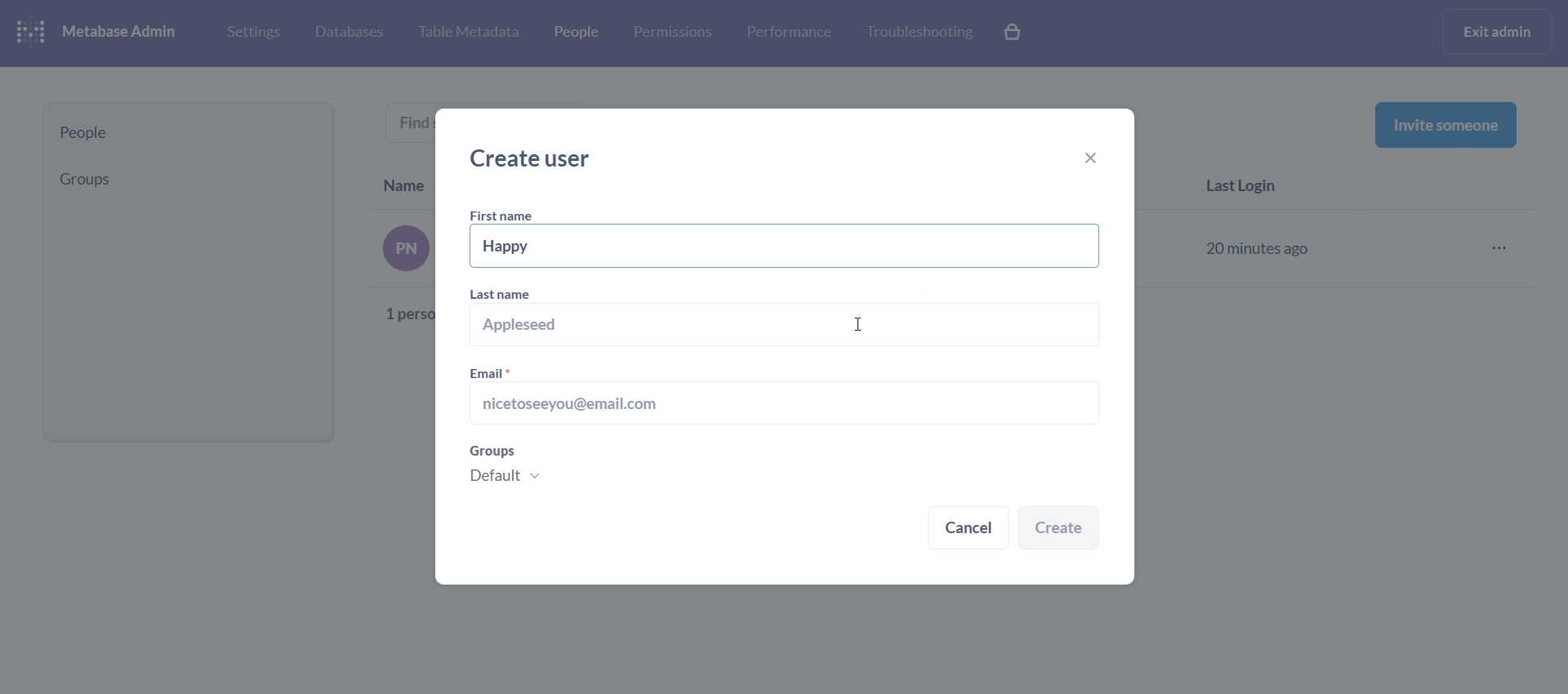 The height and width of the screenshot is (694, 1568). What do you see at coordinates (855, 325) in the screenshot?
I see `cursor` at bounding box center [855, 325].